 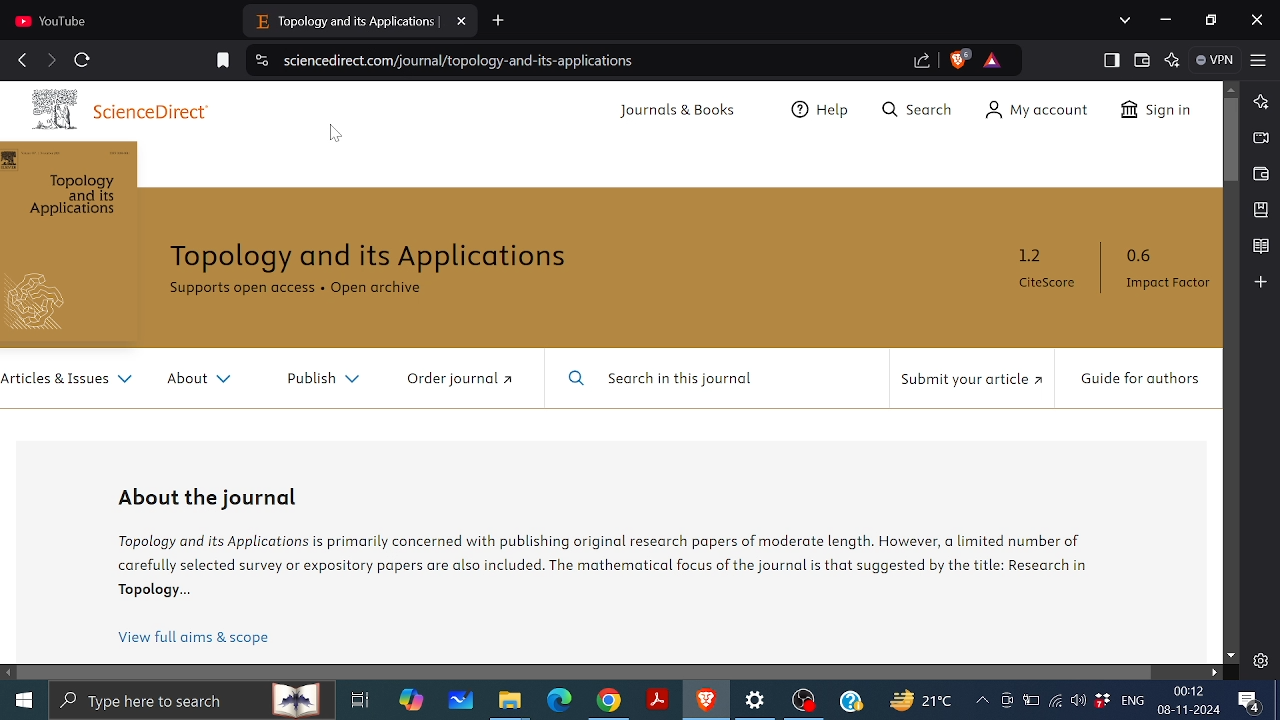 What do you see at coordinates (82, 60) in the screenshot?
I see `reload` at bounding box center [82, 60].